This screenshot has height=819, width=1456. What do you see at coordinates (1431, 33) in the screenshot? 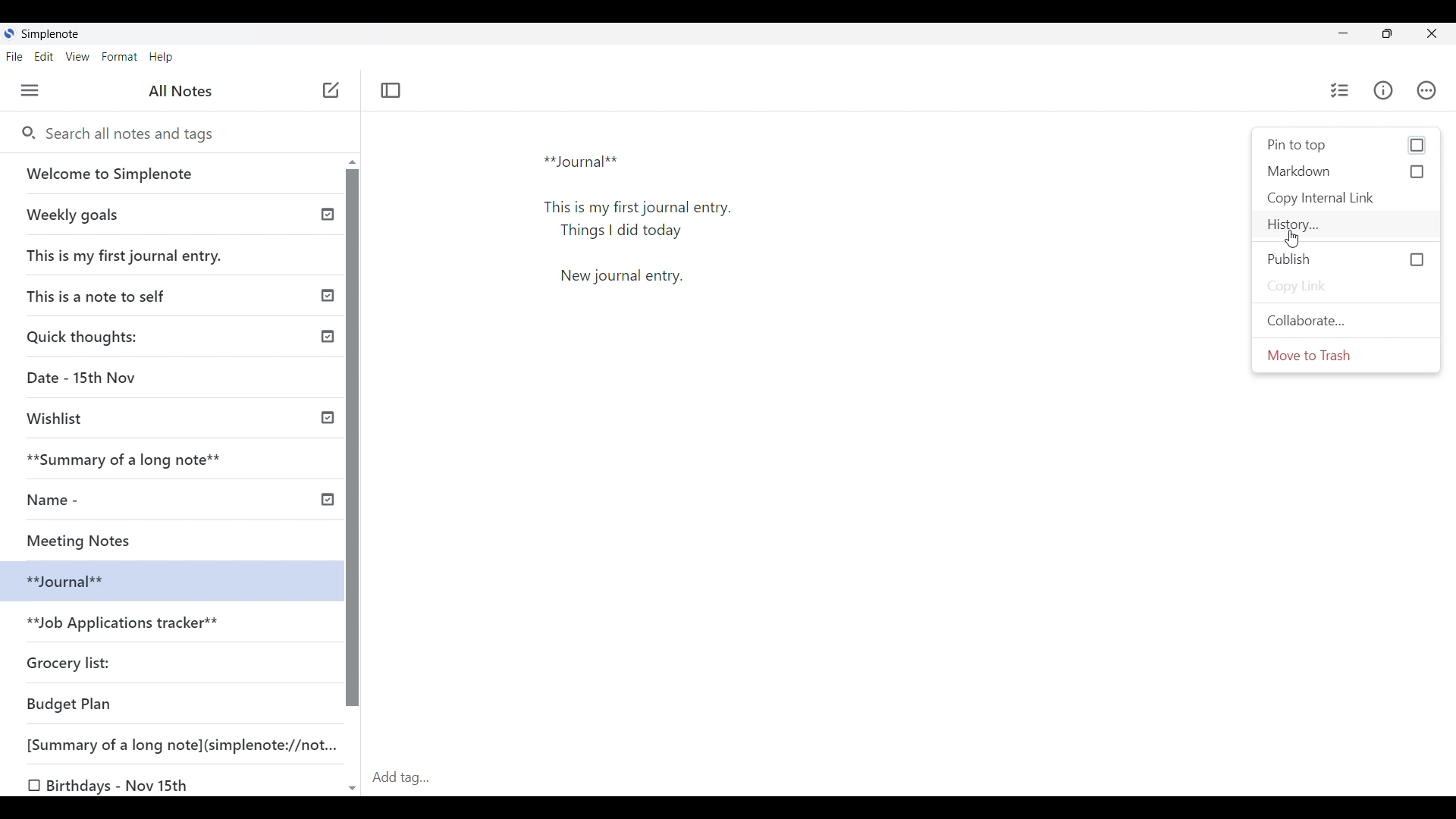
I see `Close interface` at bounding box center [1431, 33].